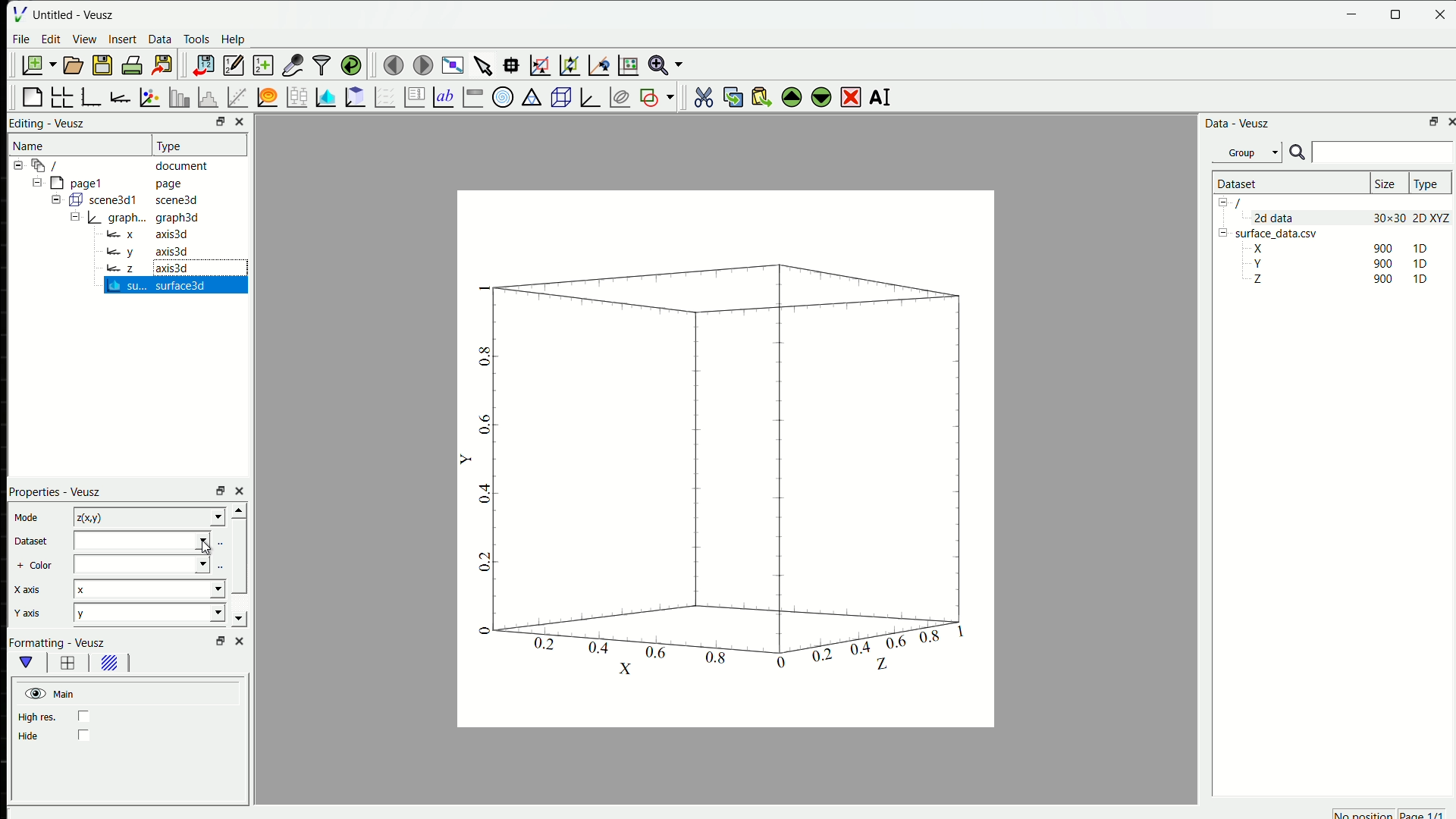 The image size is (1456, 819). Describe the element at coordinates (571, 64) in the screenshot. I see `click to zoom out of a graph axes` at that location.